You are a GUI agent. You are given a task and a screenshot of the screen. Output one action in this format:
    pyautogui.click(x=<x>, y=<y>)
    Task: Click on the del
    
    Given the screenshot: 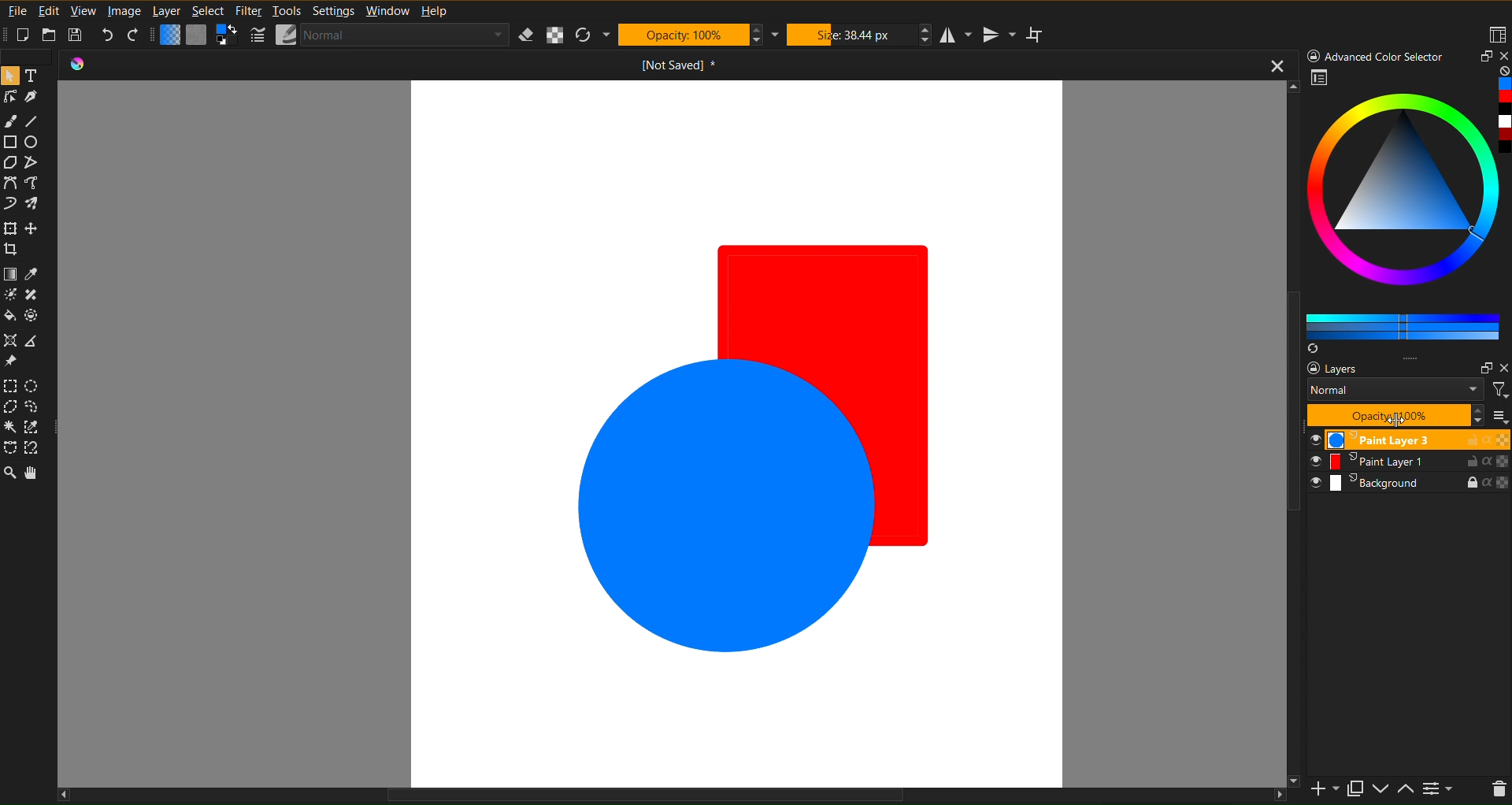 What is the action you would take?
    pyautogui.click(x=1499, y=792)
    